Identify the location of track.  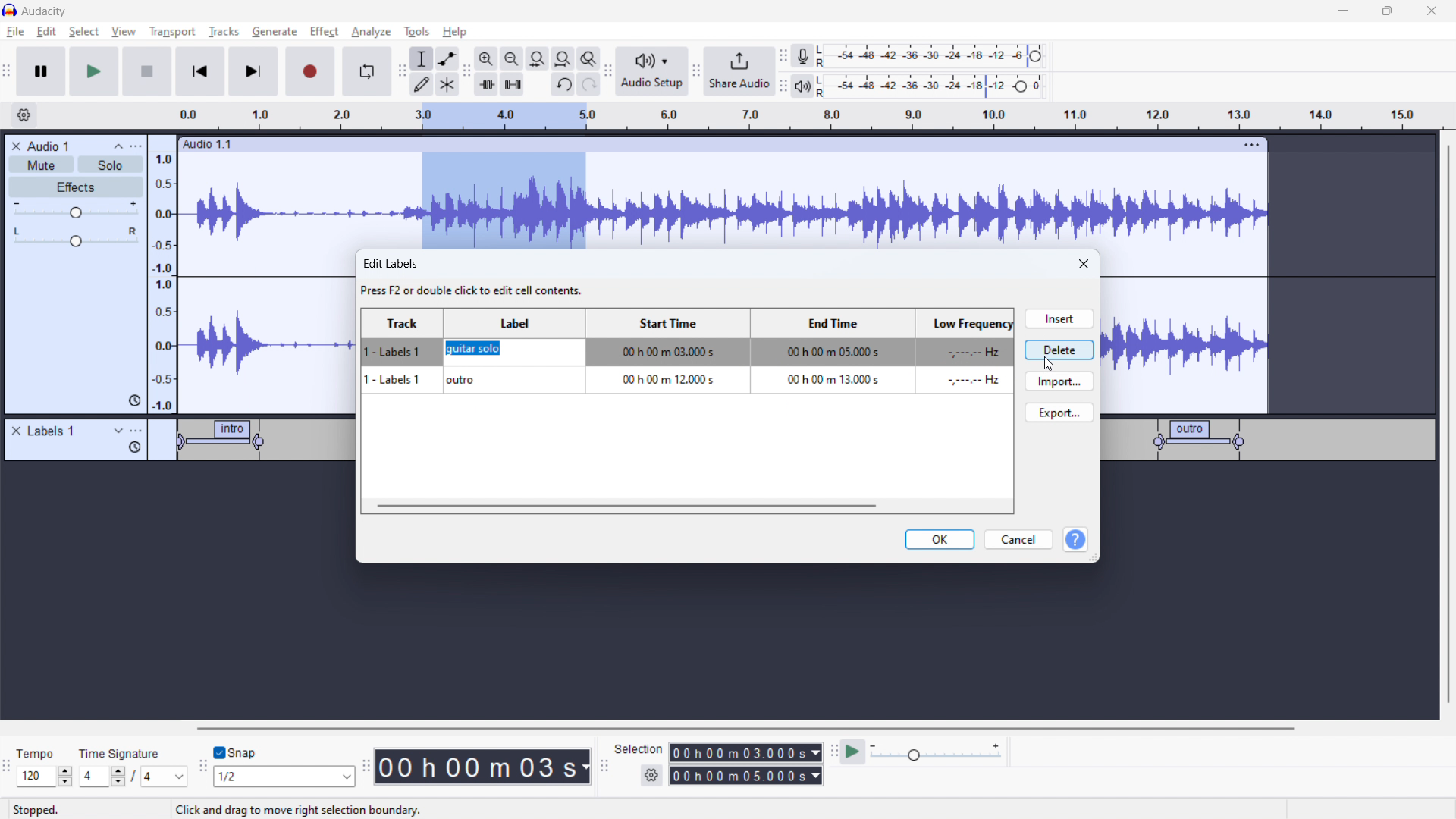
(404, 365).